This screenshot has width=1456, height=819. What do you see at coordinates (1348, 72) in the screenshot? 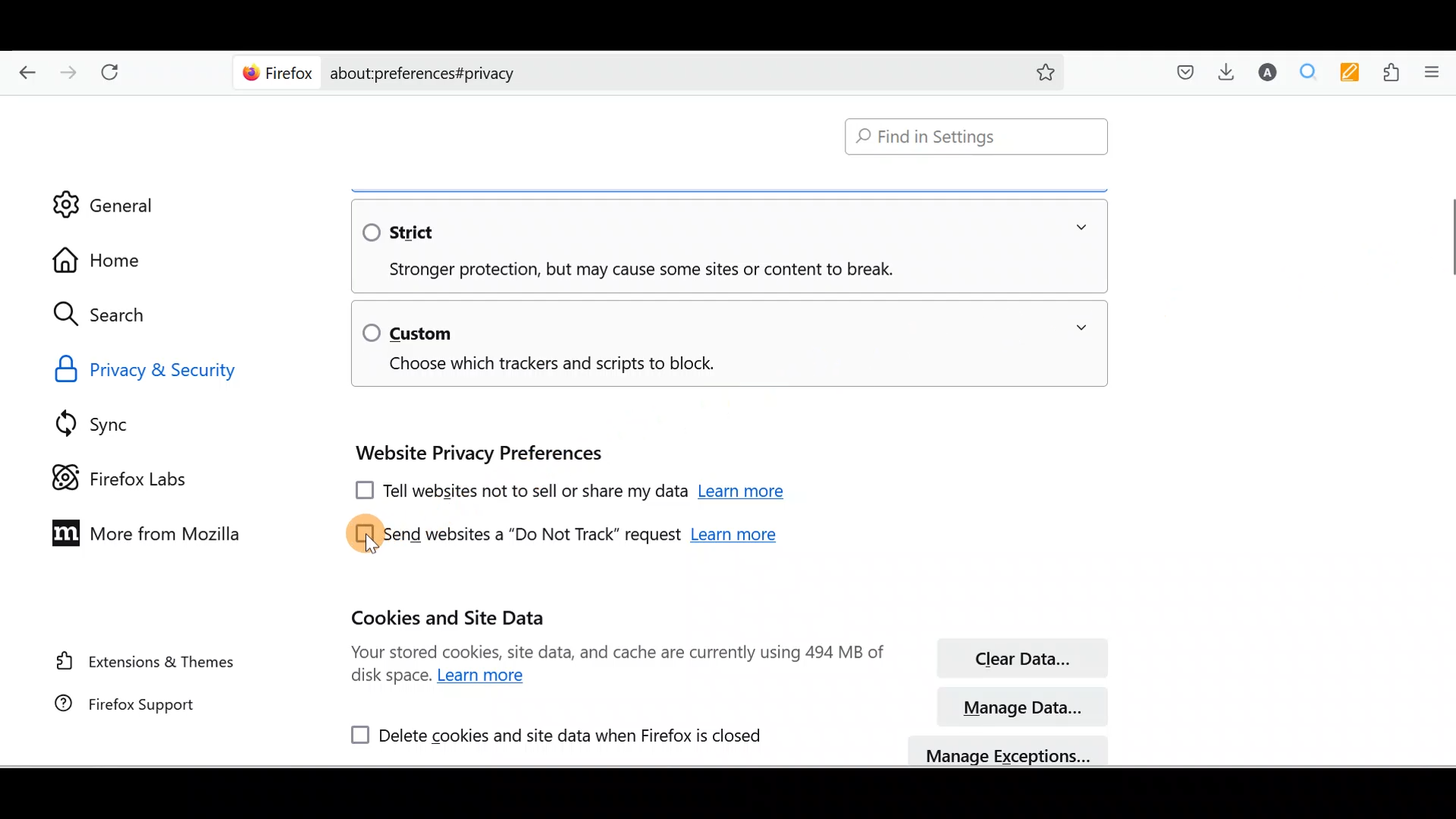
I see `Multi keywords highlighter` at bounding box center [1348, 72].